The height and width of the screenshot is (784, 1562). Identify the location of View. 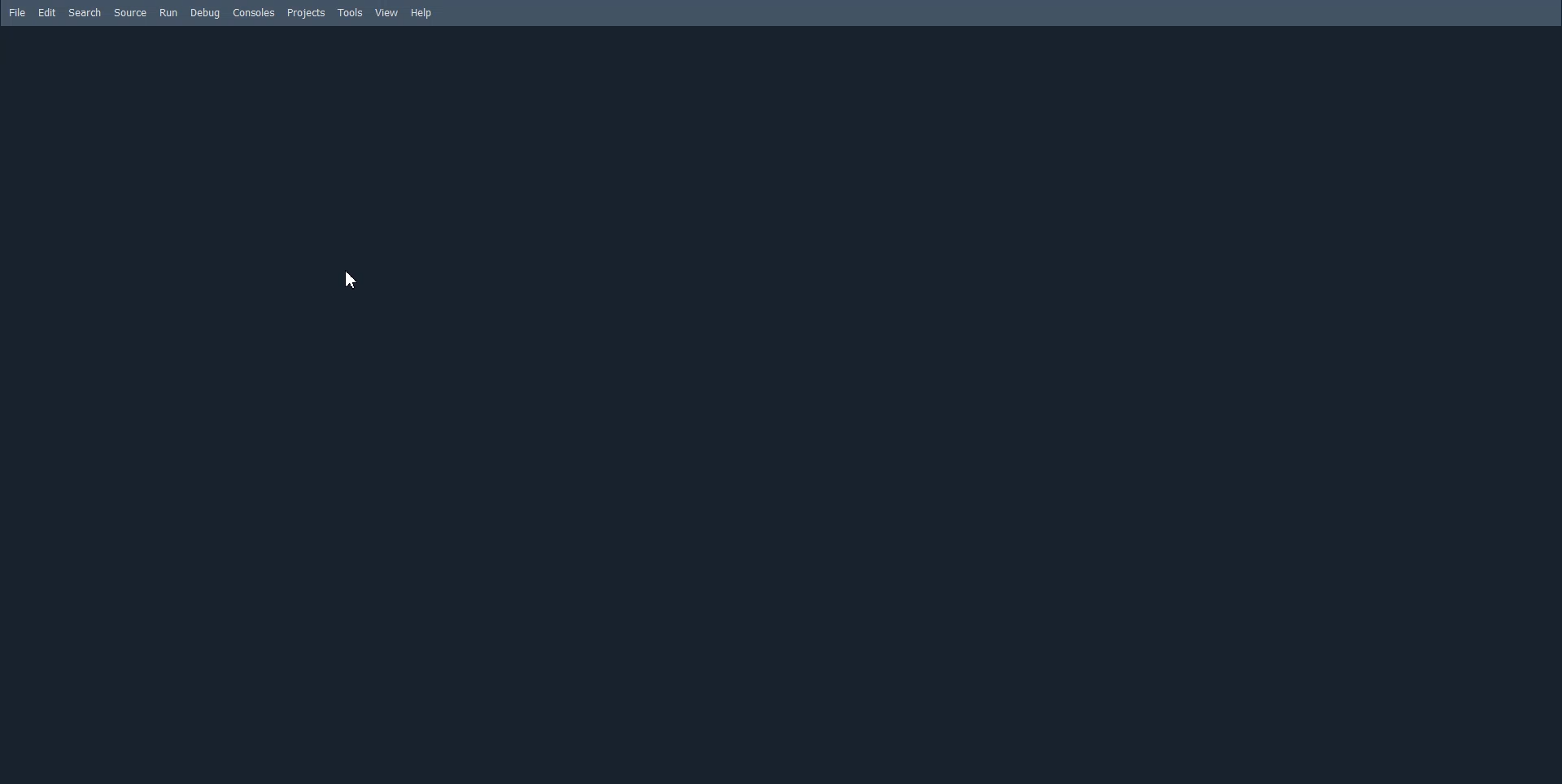
(386, 12).